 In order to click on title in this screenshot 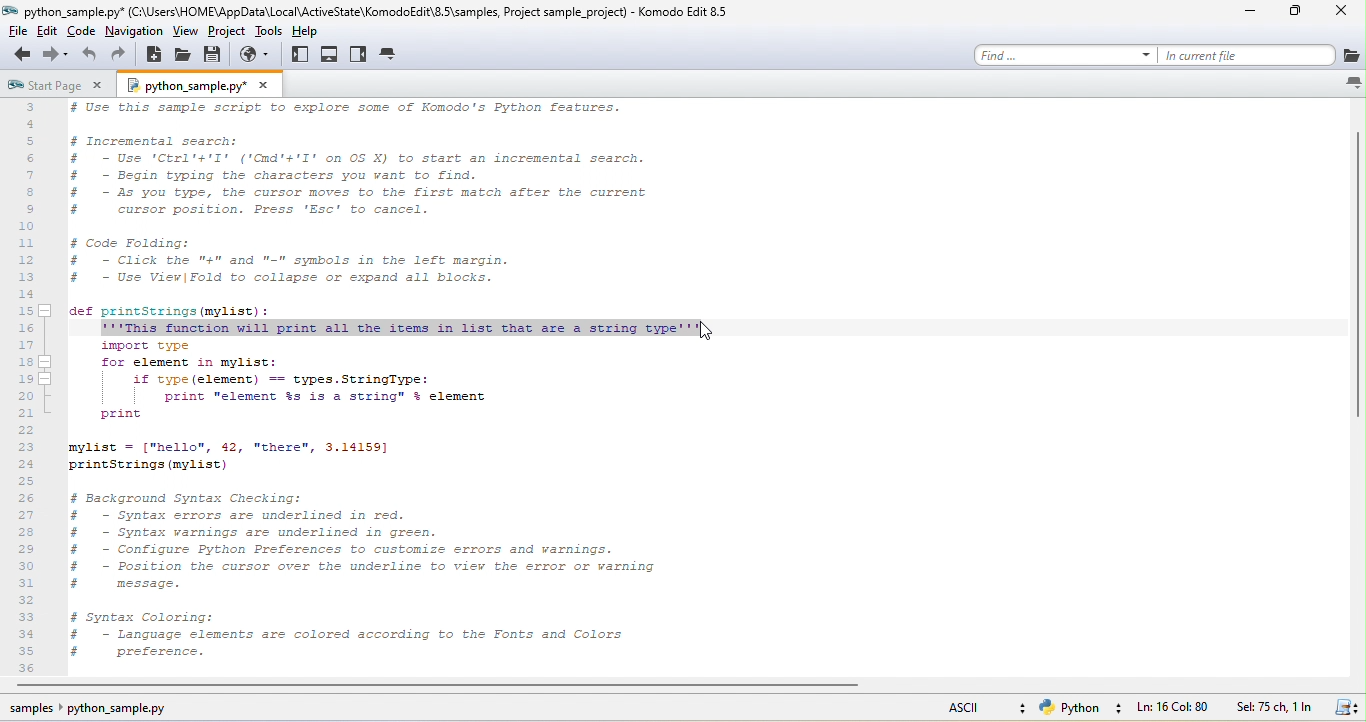, I will do `click(378, 12)`.